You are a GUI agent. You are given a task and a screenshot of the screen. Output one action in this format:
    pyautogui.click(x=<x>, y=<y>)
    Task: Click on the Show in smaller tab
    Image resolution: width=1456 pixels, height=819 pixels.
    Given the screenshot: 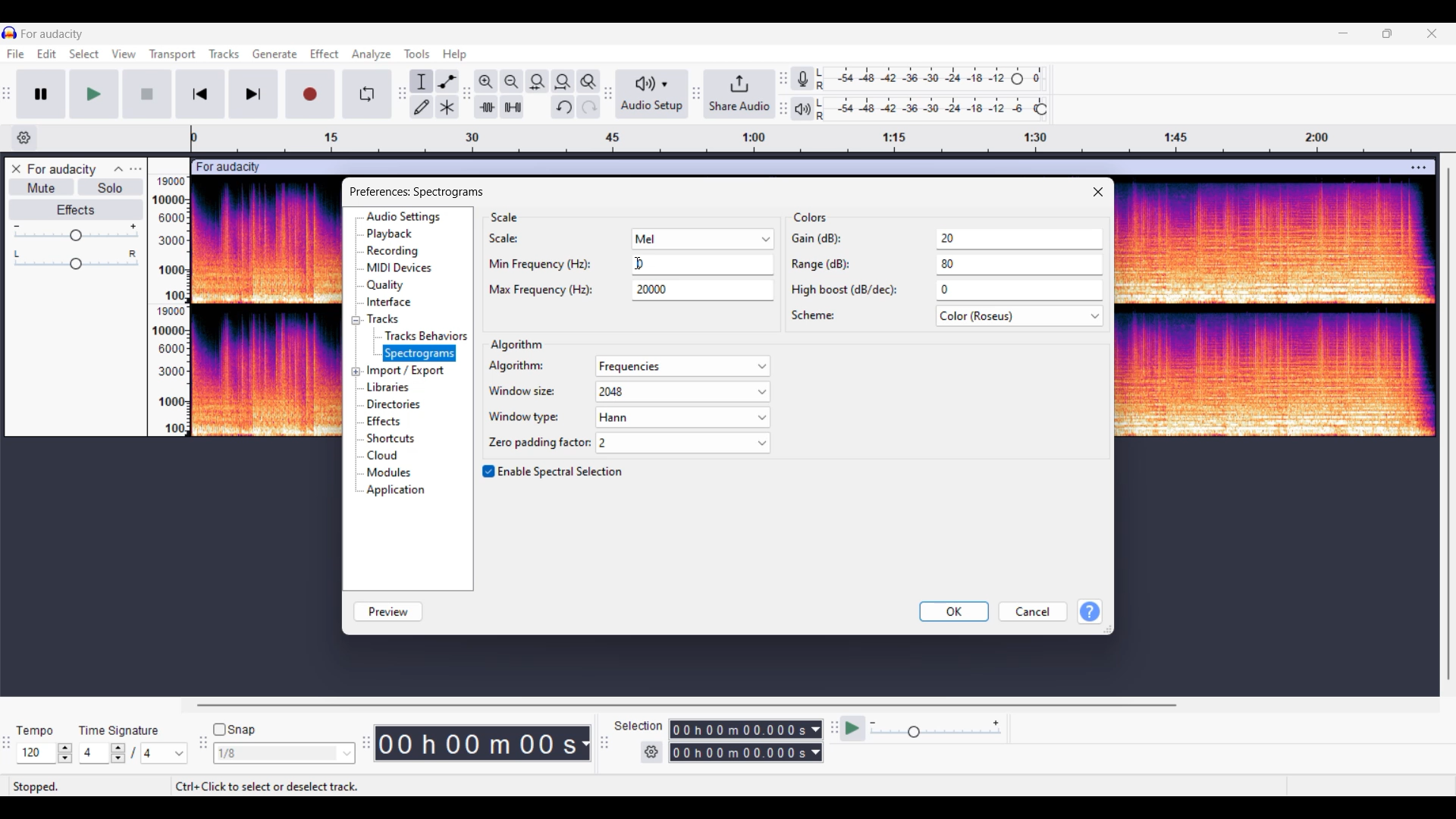 What is the action you would take?
    pyautogui.click(x=1387, y=33)
    